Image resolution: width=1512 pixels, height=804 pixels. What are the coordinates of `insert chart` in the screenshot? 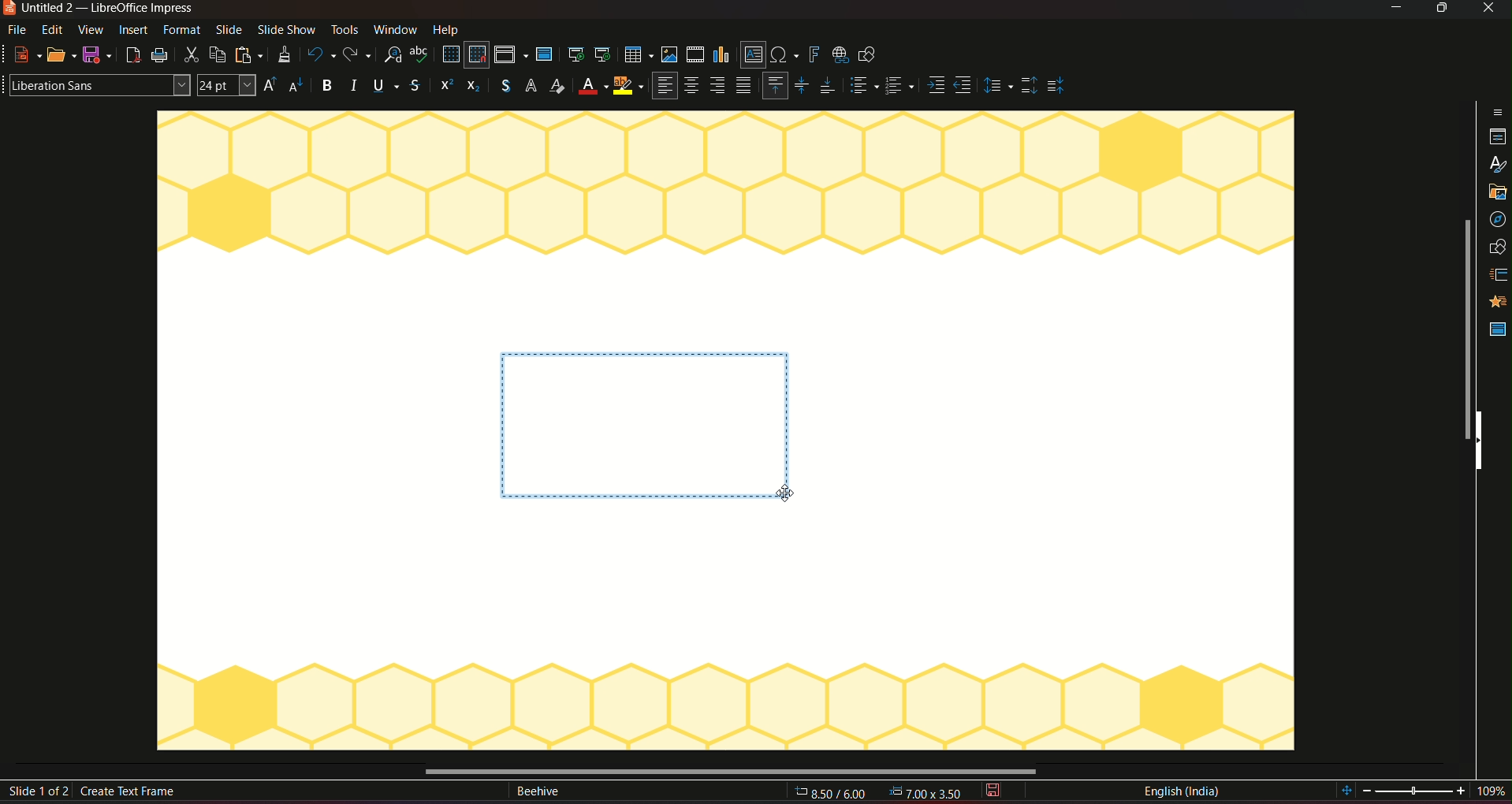 It's located at (723, 54).